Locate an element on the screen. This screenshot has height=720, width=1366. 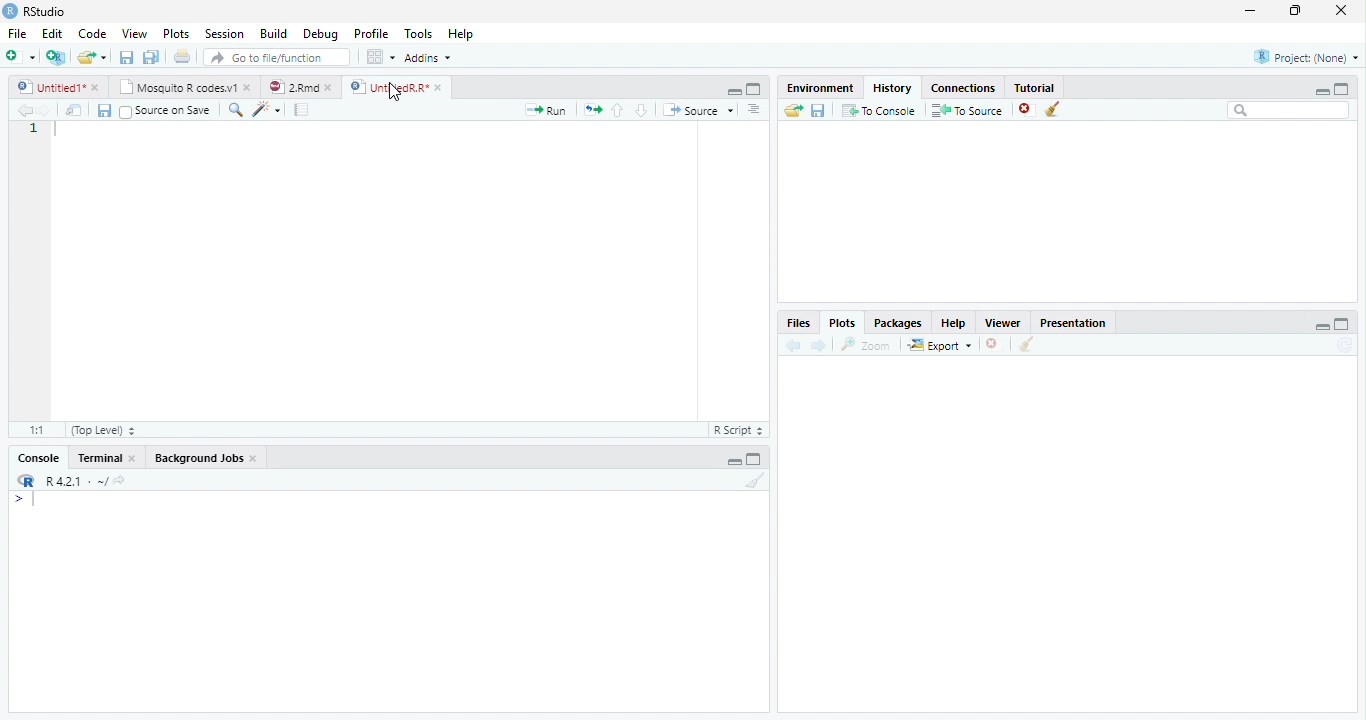
Run is located at coordinates (544, 110).